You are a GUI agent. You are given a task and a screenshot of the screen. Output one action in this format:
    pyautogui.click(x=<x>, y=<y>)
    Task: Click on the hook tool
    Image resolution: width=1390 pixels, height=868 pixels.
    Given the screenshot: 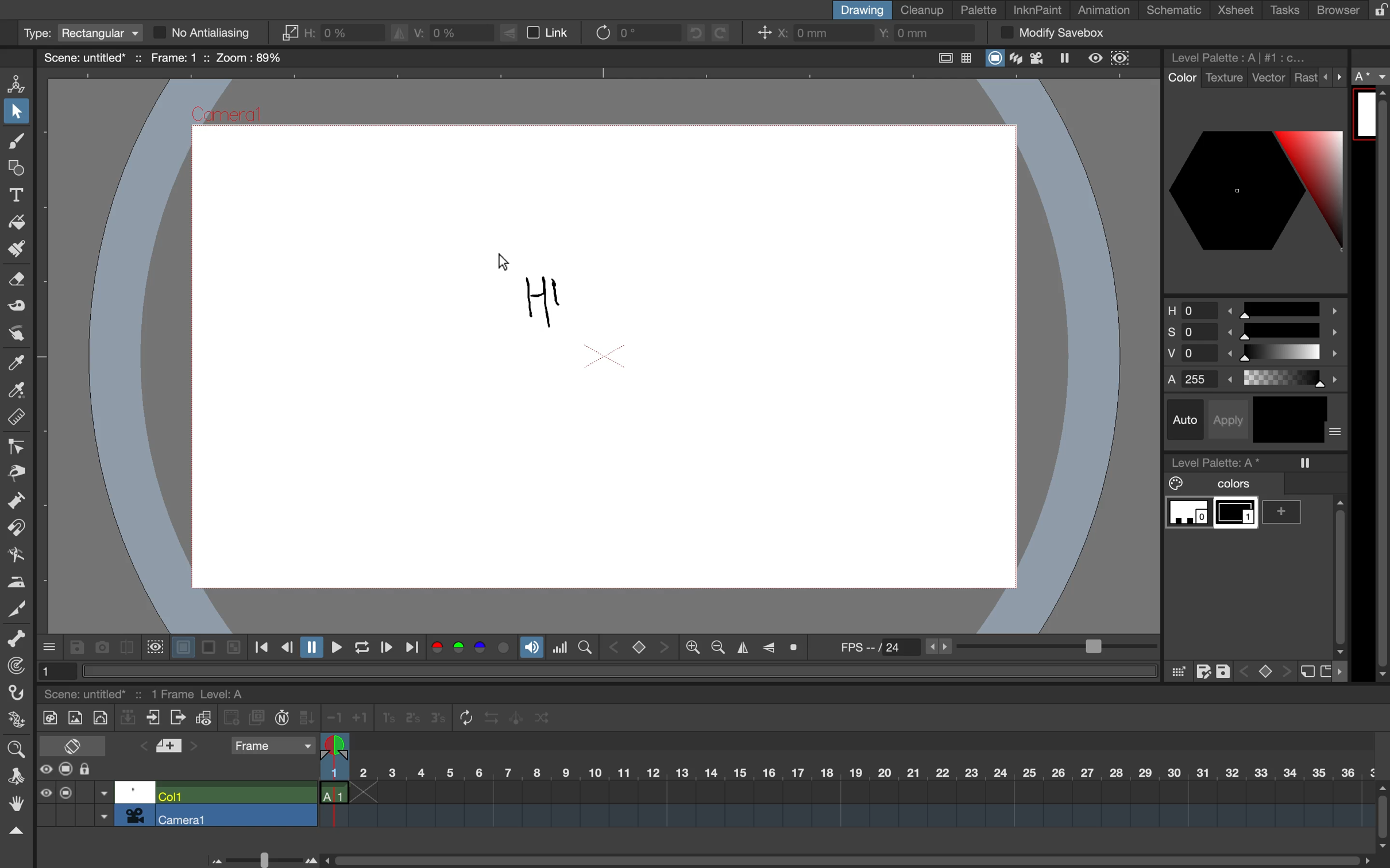 What is the action you would take?
    pyautogui.click(x=18, y=695)
    